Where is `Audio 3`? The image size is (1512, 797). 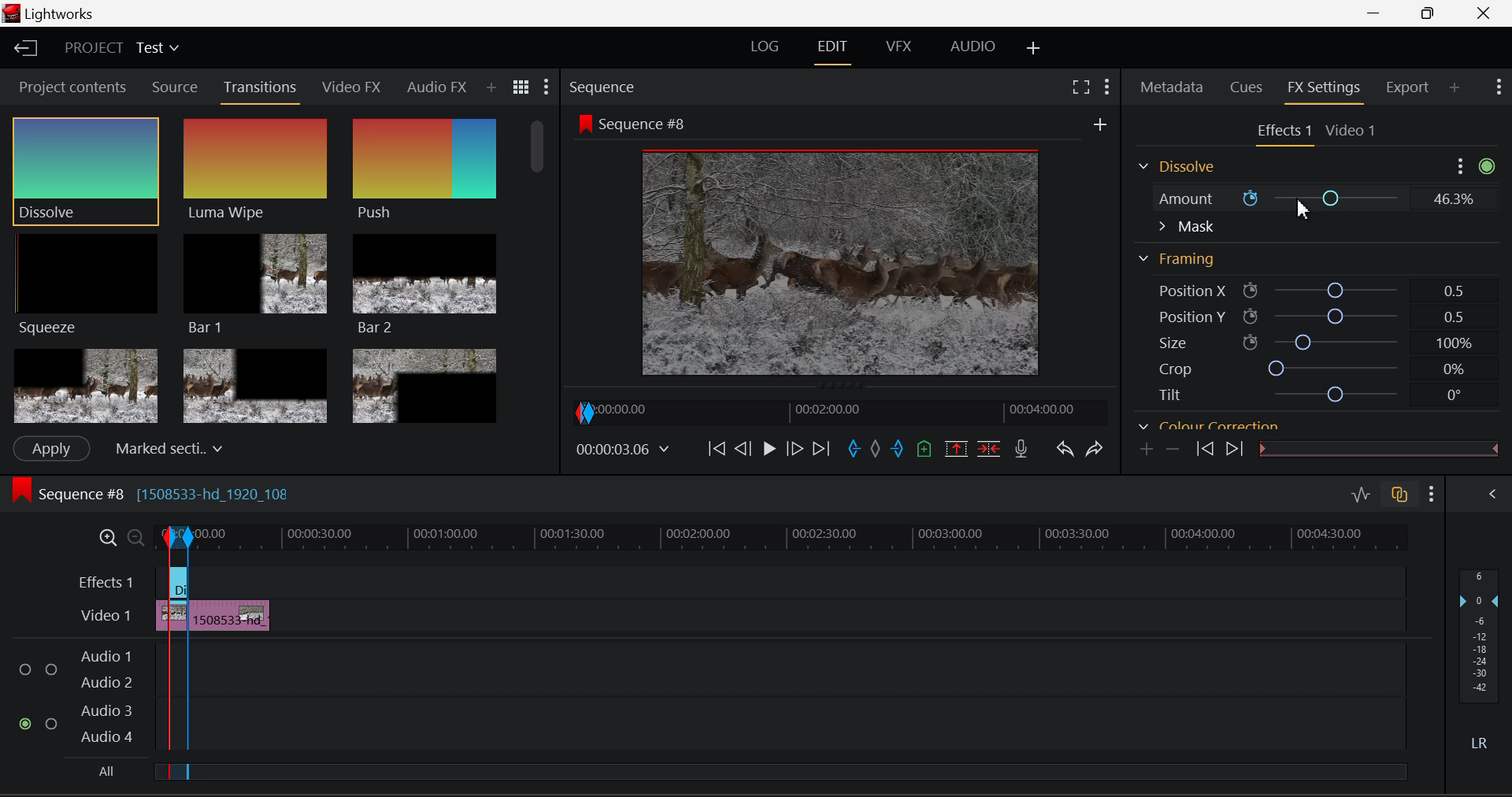 Audio 3 is located at coordinates (105, 710).